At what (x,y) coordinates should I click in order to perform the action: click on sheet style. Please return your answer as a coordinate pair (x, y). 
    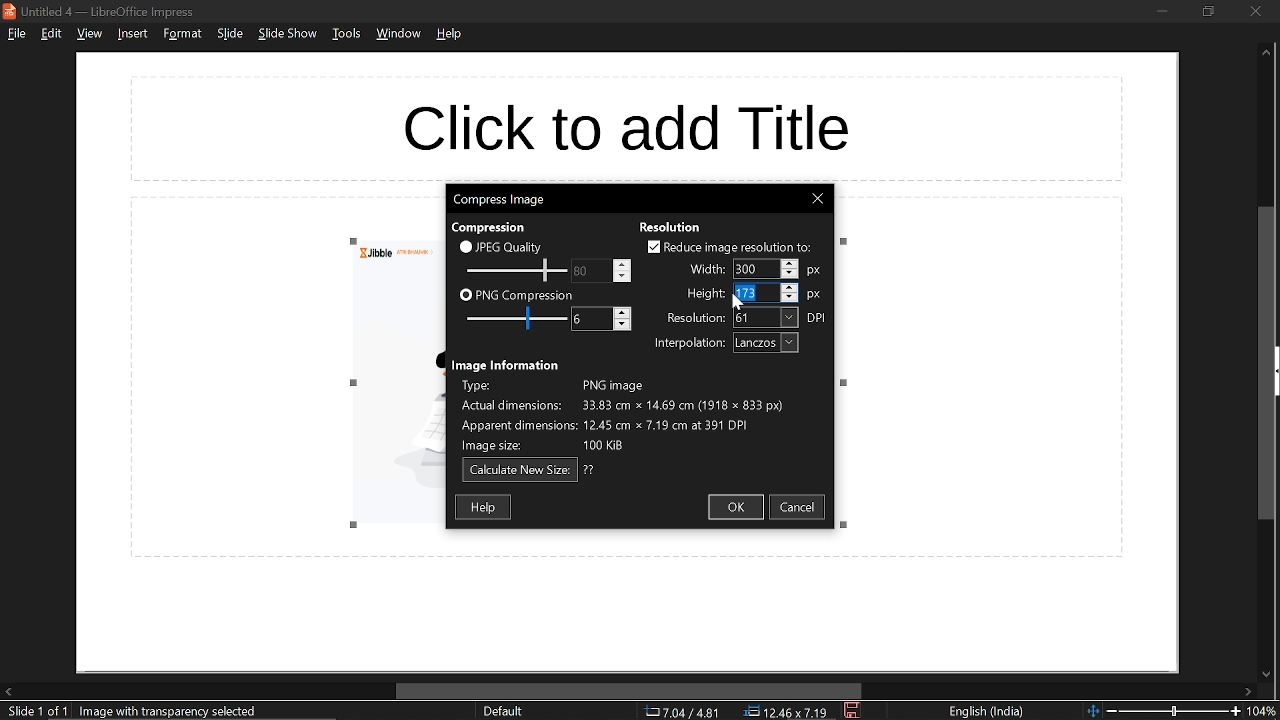
    Looking at the image, I should click on (502, 712).